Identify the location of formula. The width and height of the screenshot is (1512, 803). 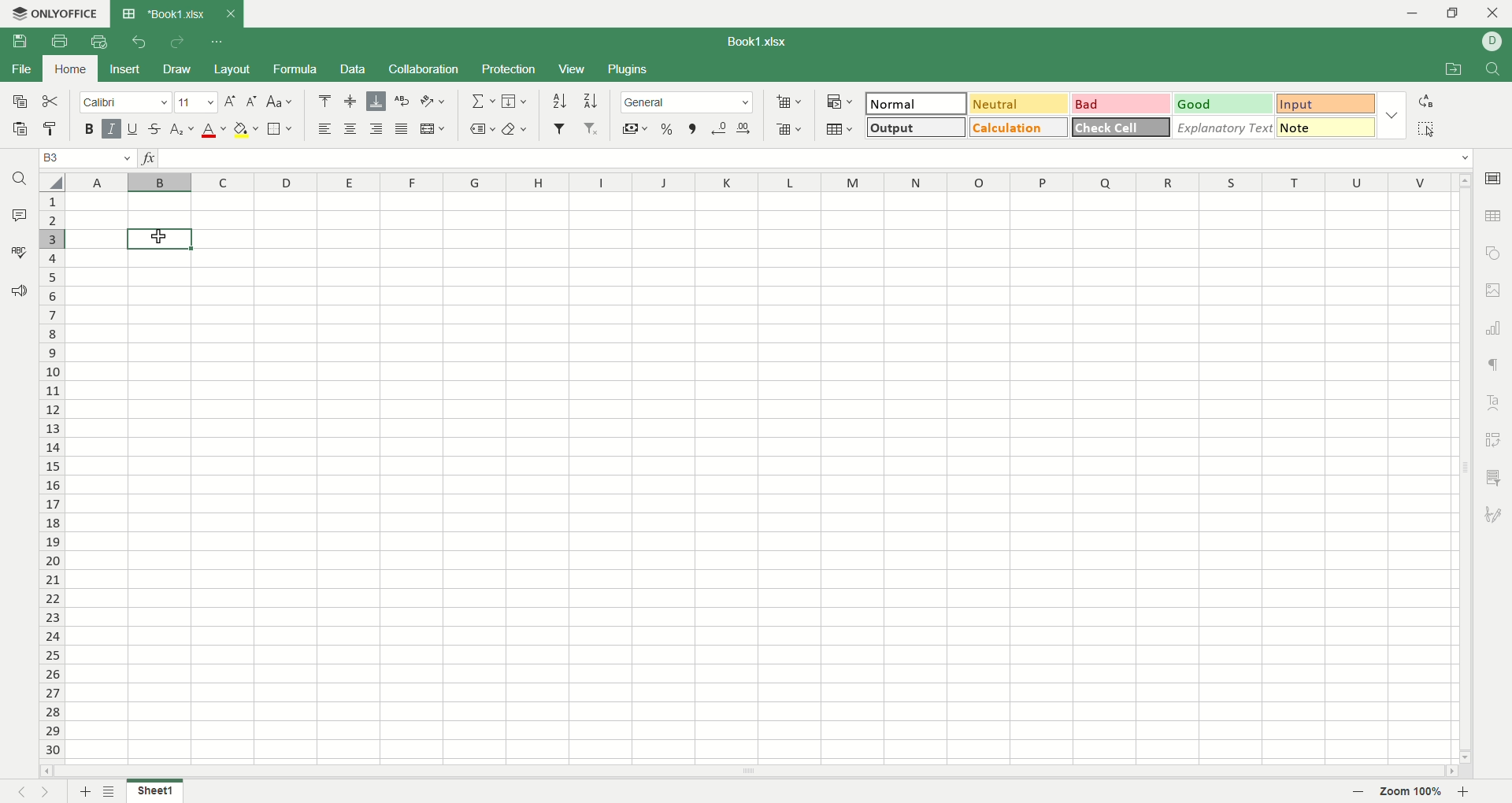
(297, 68).